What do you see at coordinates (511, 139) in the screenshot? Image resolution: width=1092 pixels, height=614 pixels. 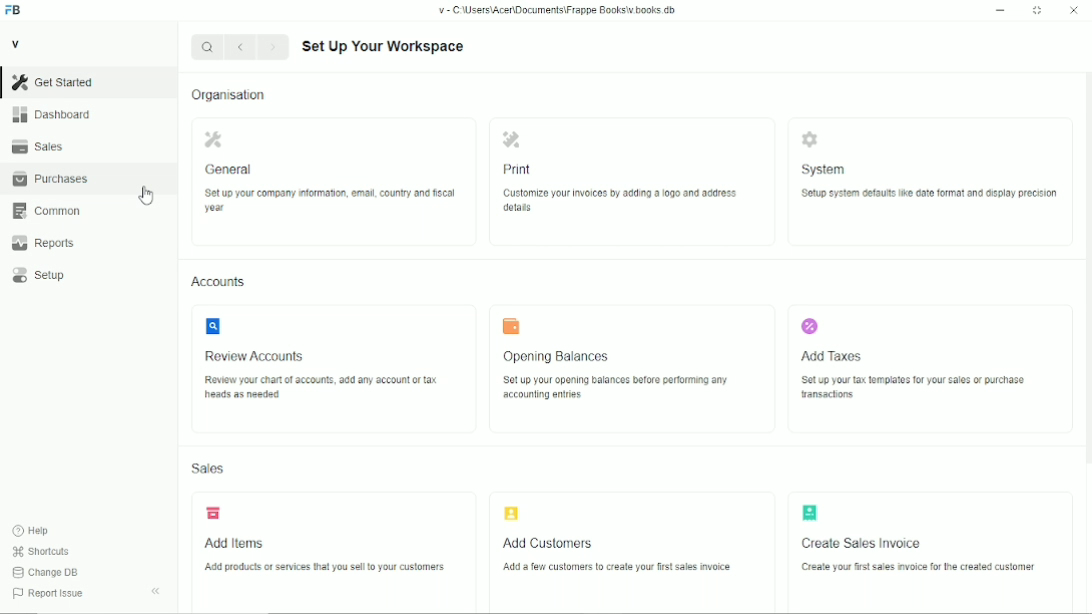 I see `Print icon` at bounding box center [511, 139].